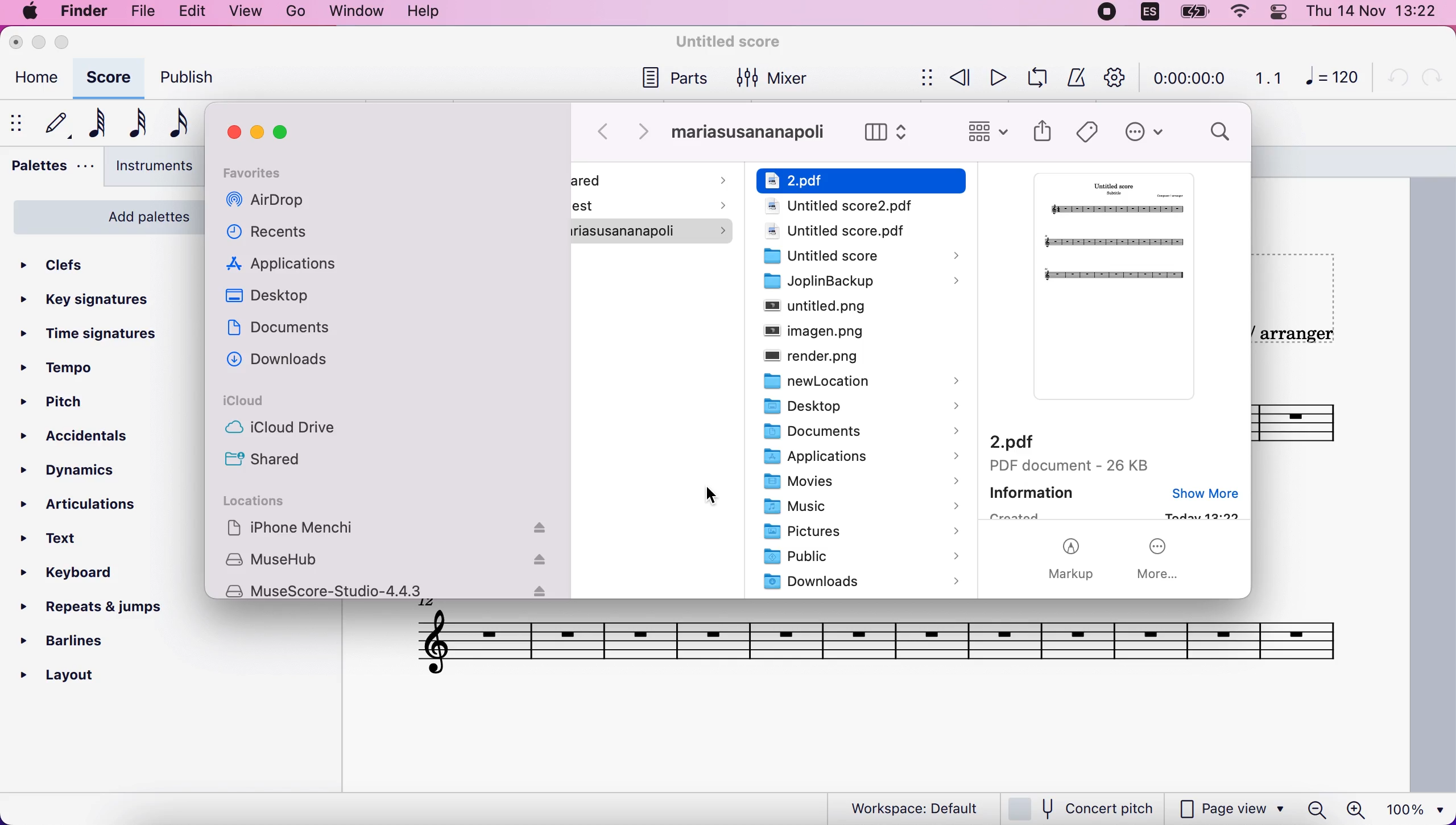 Image resolution: width=1456 pixels, height=825 pixels. I want to click on downloads, so click(288, 364).